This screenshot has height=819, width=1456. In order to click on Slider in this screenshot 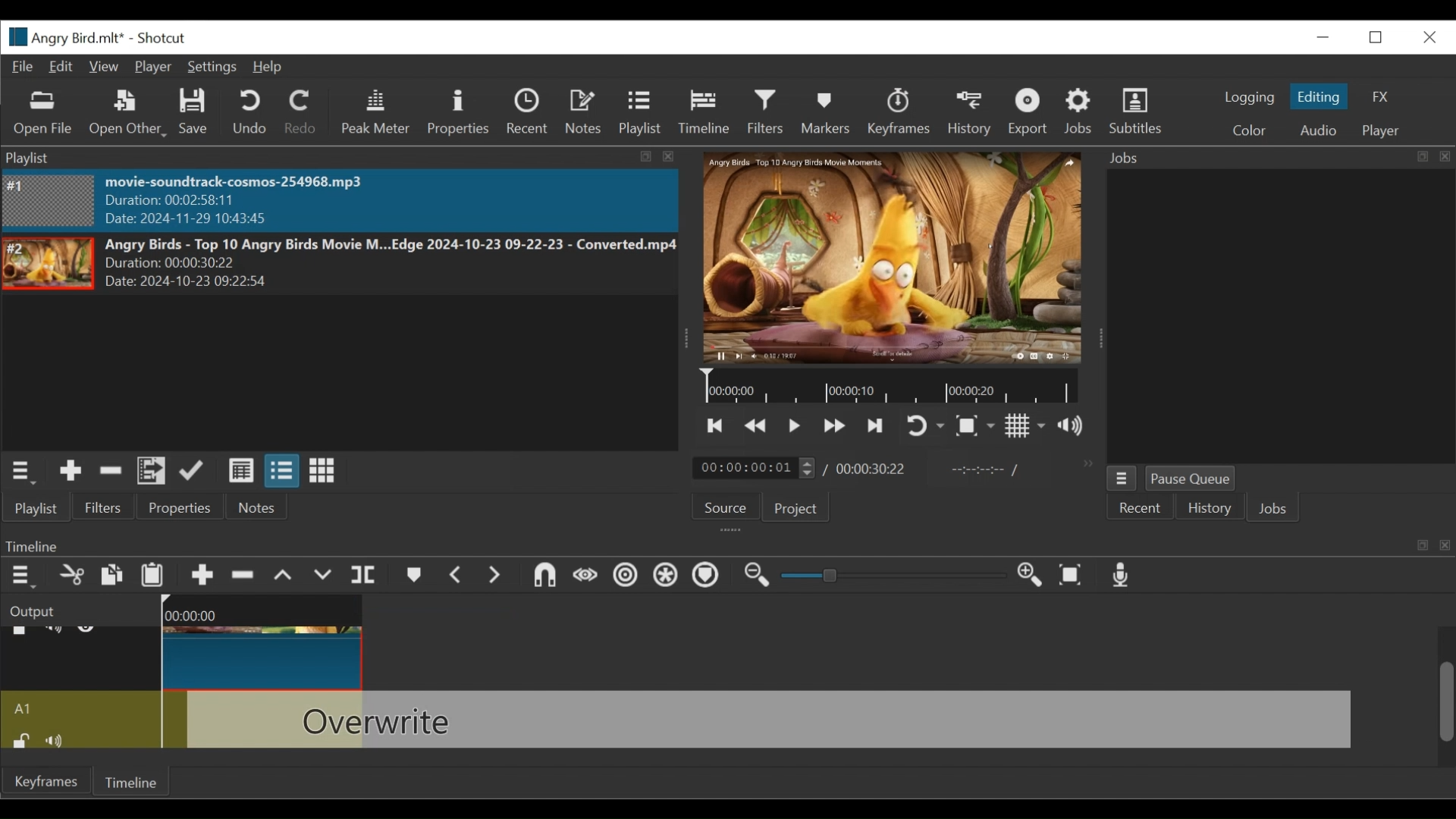, I will do `click(894, 577)`.